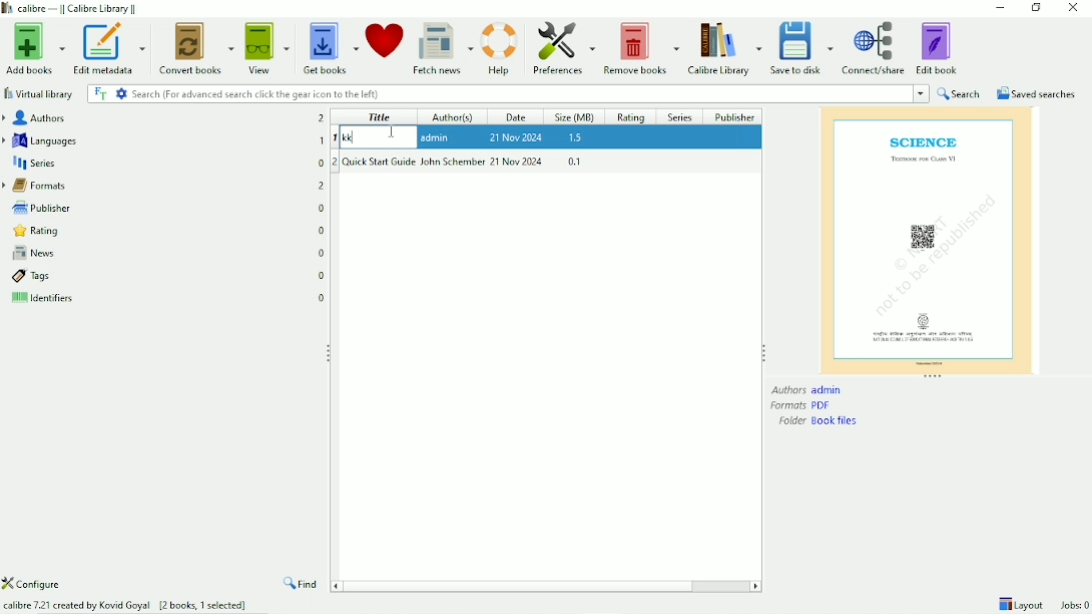 This screenshot has width=1092, height=614. I want to click on 0.1, so click(574, 161).